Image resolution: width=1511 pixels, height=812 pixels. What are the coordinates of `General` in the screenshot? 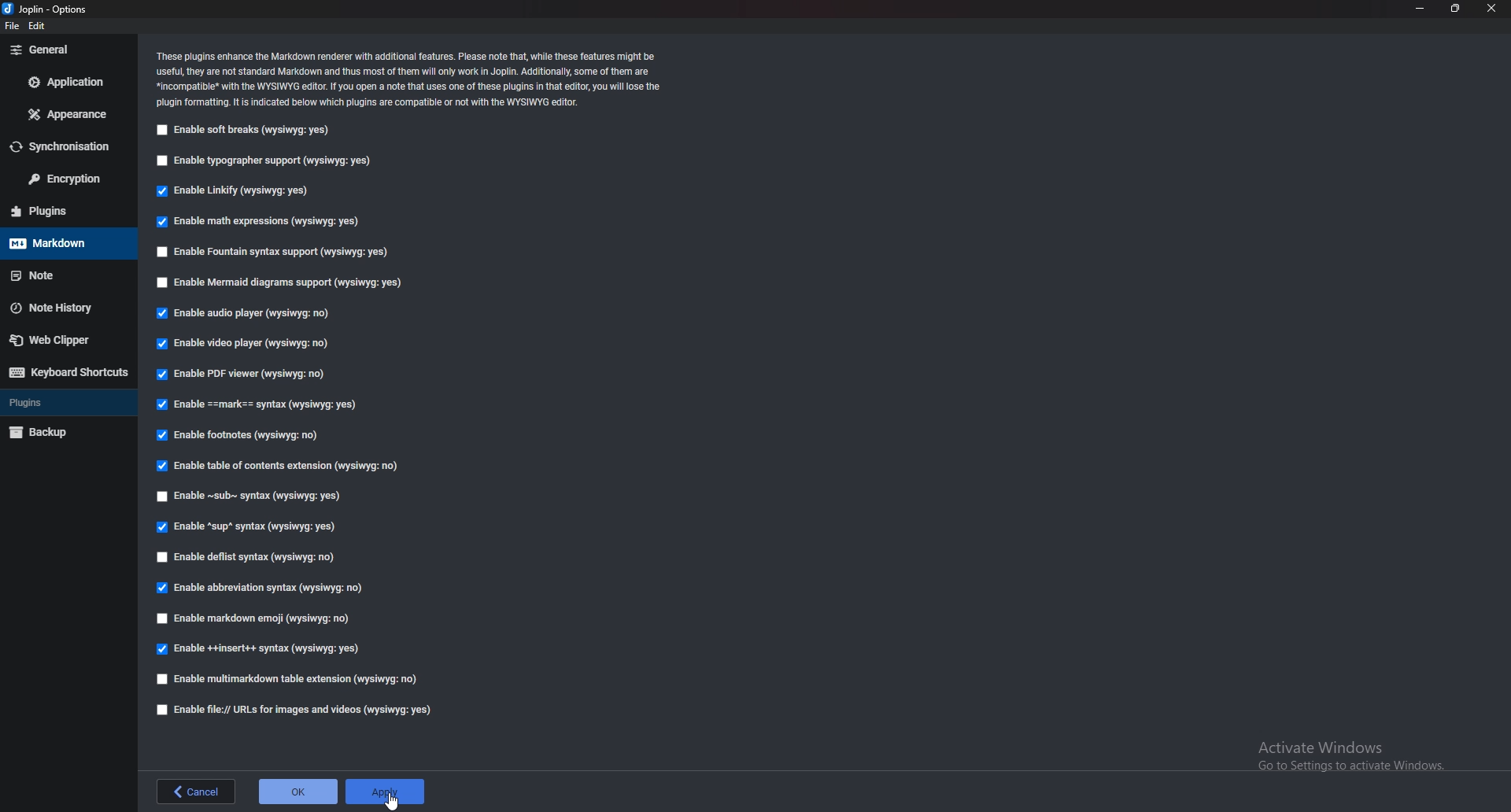 It's located at (68, 50).